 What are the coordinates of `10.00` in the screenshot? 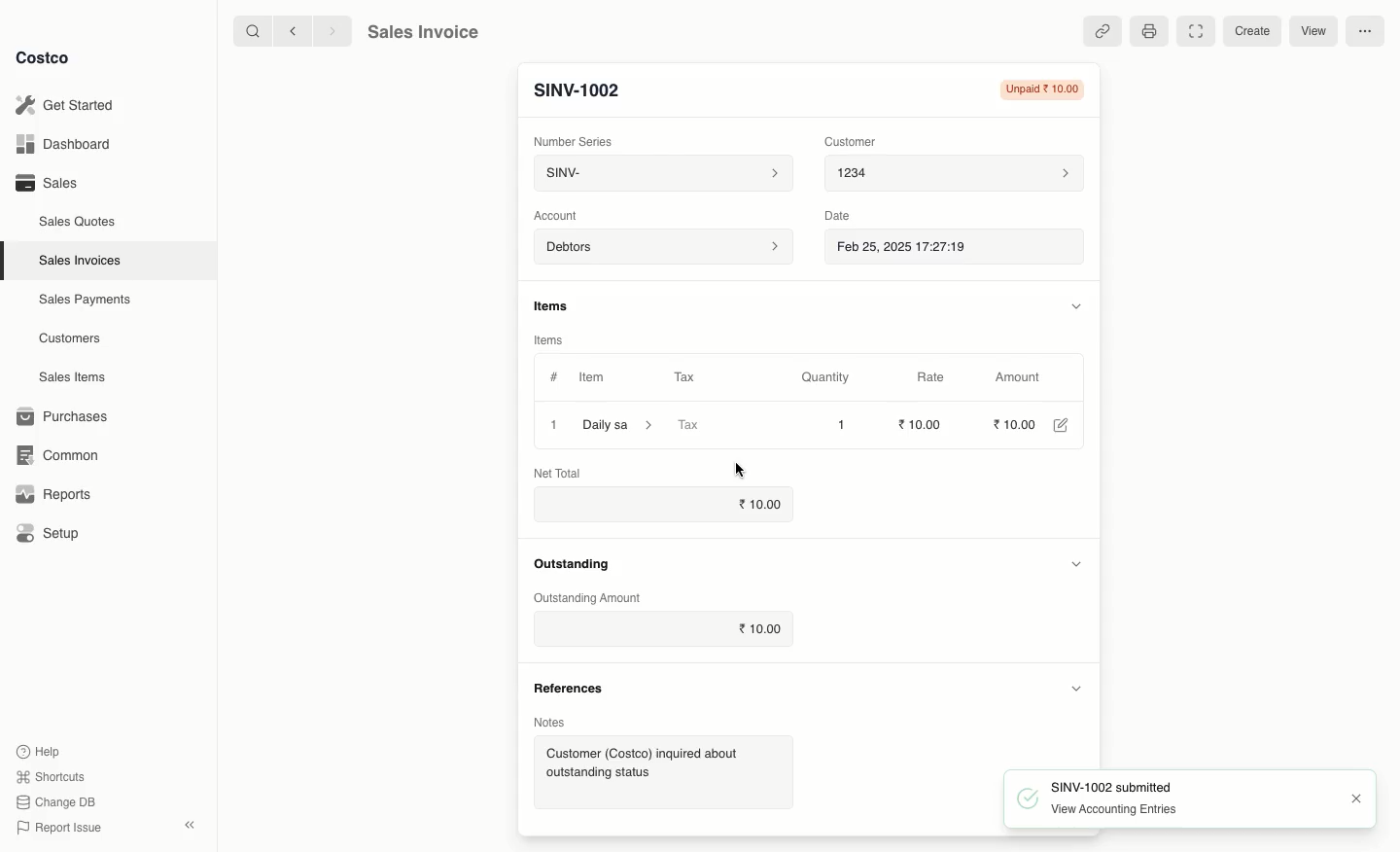 It's located at (1012, 424).